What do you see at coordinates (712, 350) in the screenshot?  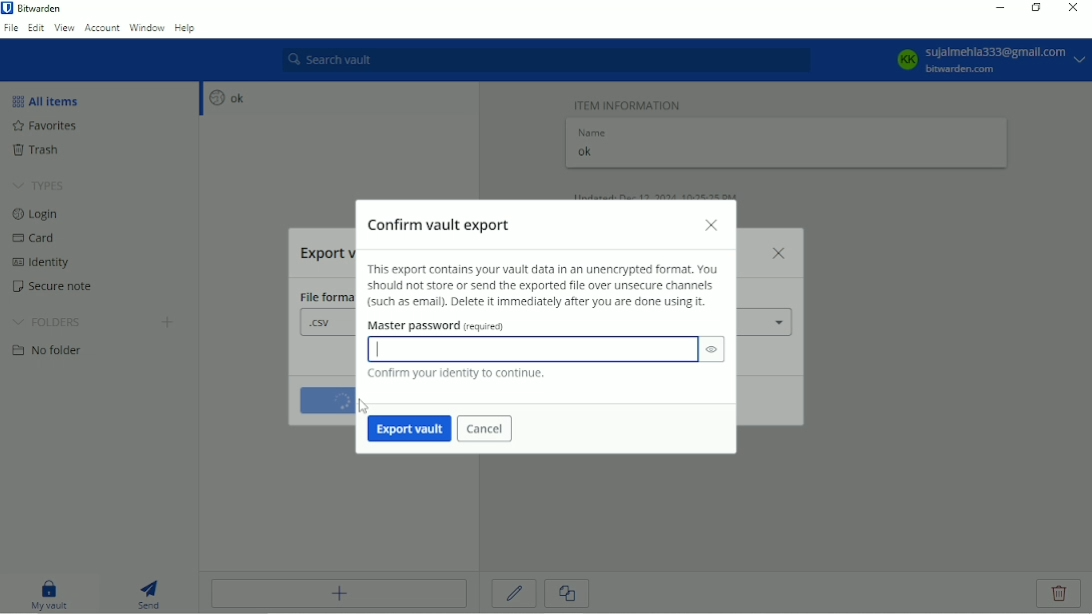 I see `Show/hide` at bounding box center [712, 350].